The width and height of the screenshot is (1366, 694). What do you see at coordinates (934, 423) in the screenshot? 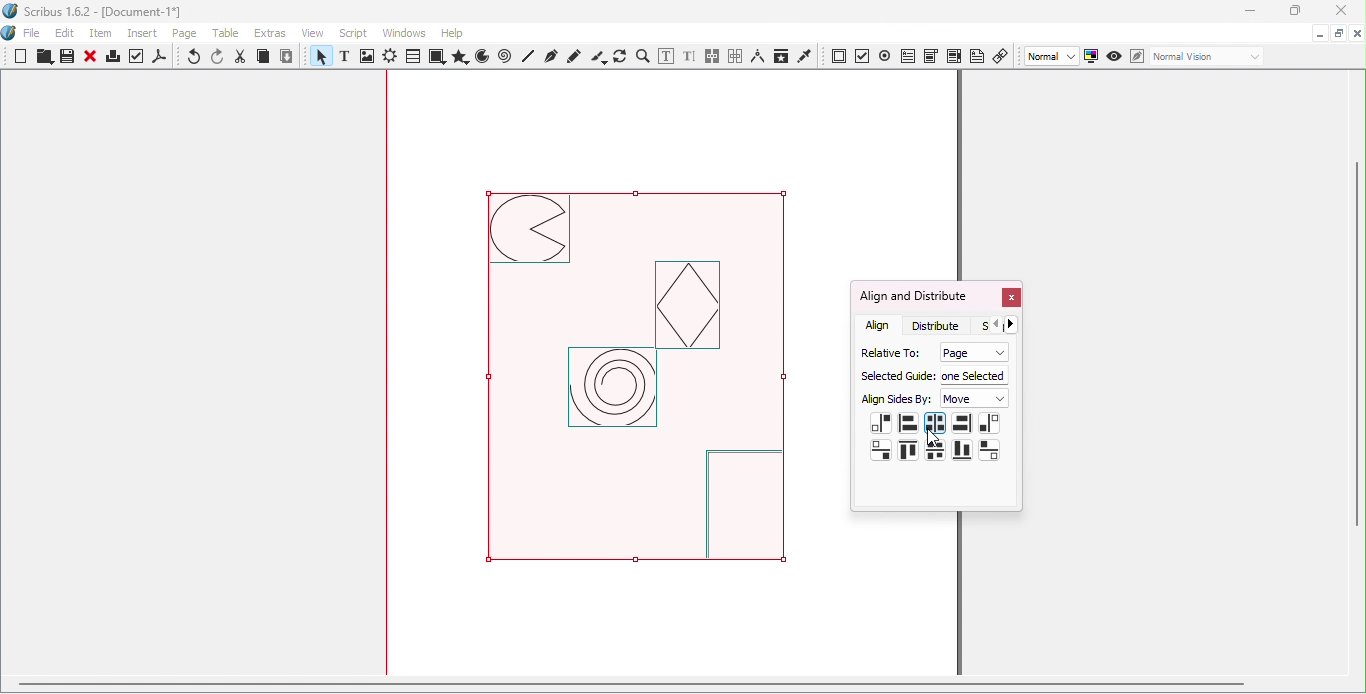
I see `Center on vertical axis` at bounding box center [934, 423].